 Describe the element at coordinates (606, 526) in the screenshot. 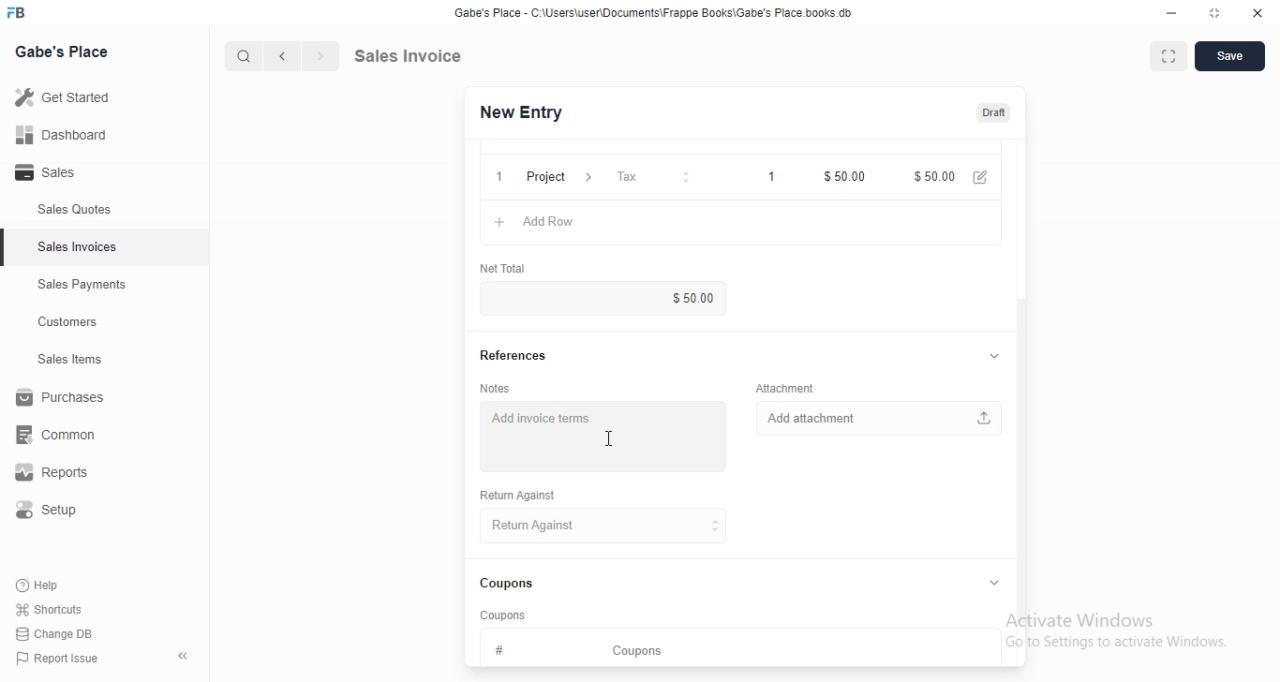

I see `Return Against` at that location.